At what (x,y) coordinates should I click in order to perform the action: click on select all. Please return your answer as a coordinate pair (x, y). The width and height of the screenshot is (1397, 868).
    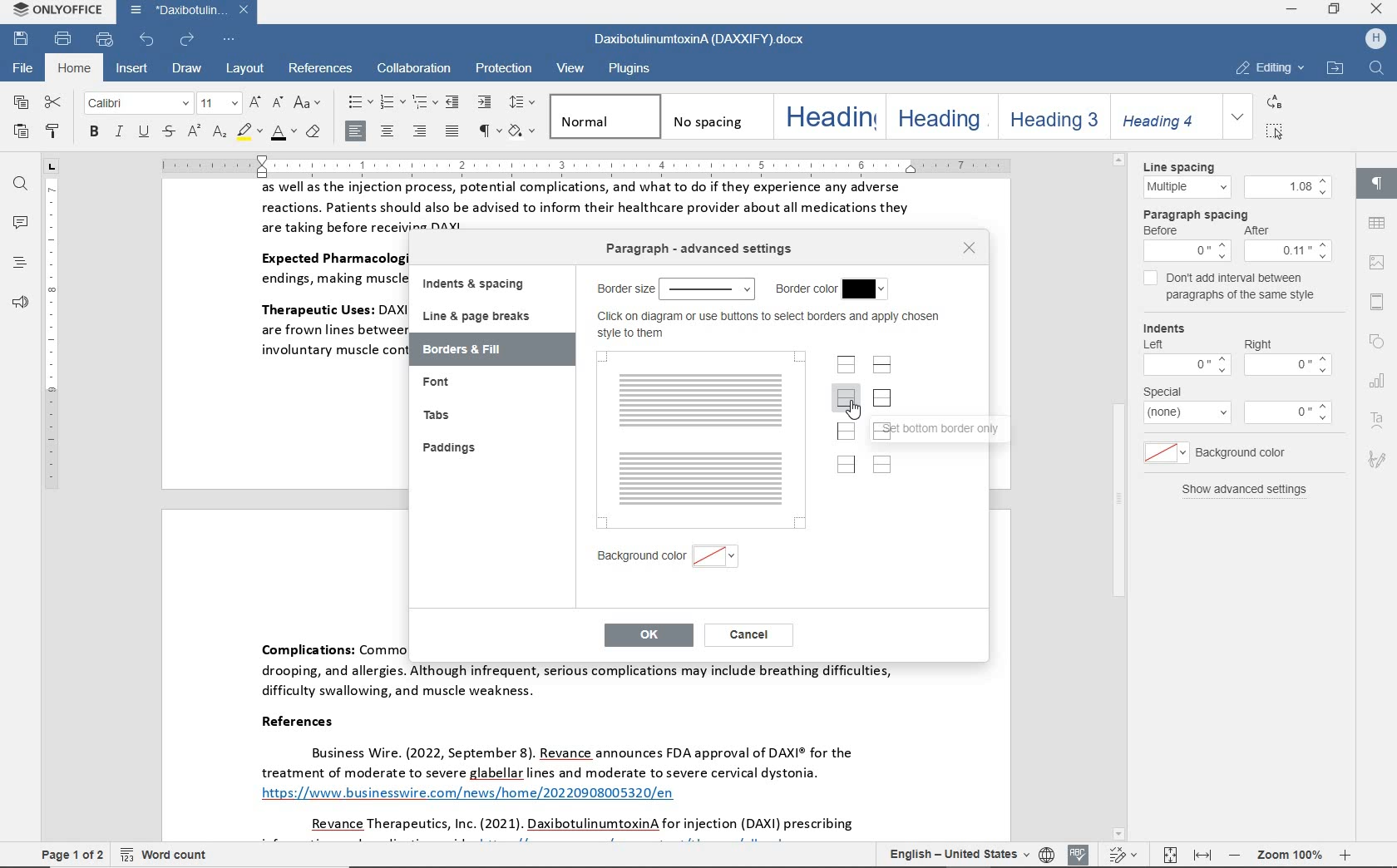
    Looking at the image, I should click on (1275, 131).